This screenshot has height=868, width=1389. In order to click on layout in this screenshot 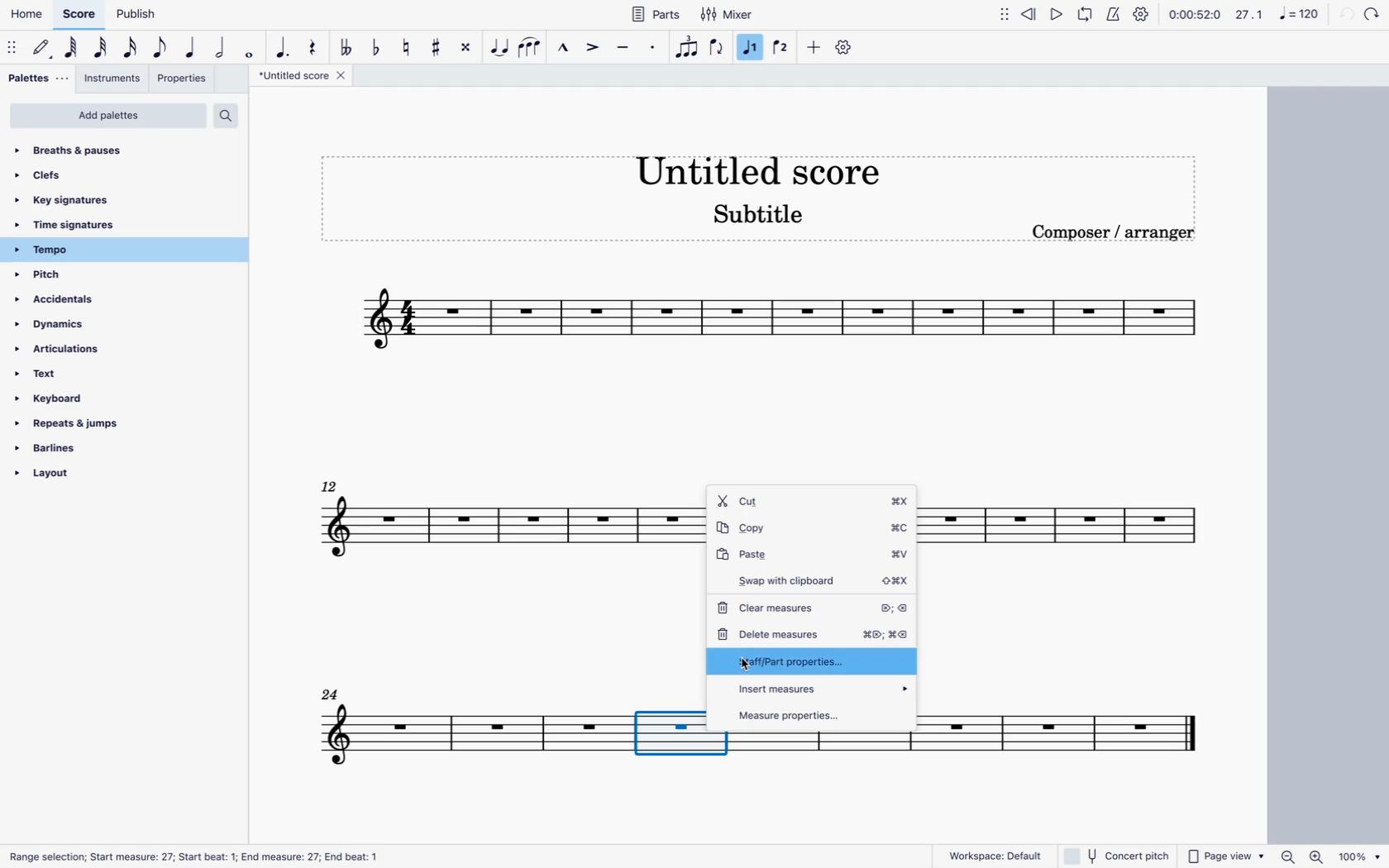, I will do `click(113, 474)`.